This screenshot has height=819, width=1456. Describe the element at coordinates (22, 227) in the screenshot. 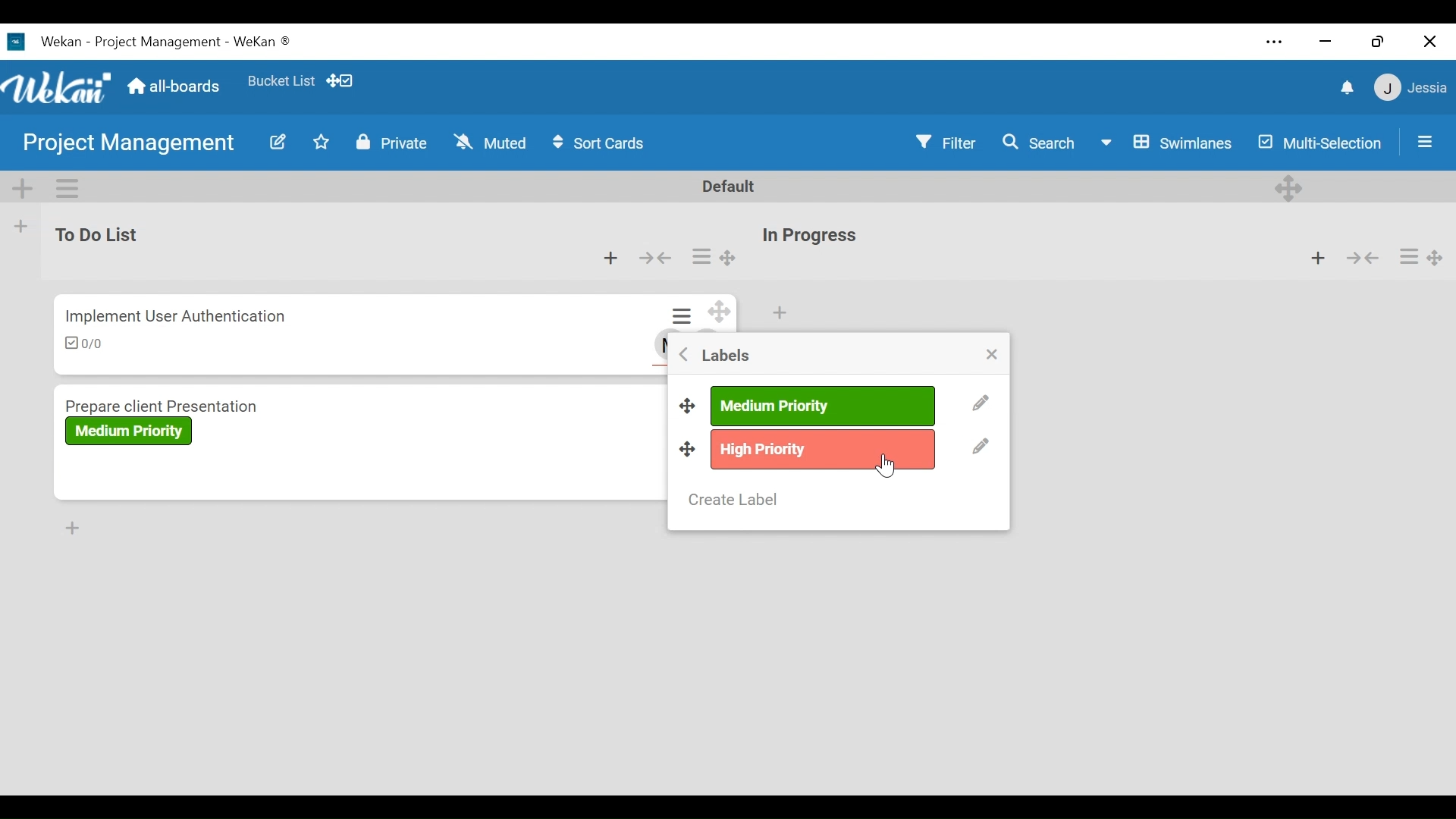

I see `Add list` at that location.